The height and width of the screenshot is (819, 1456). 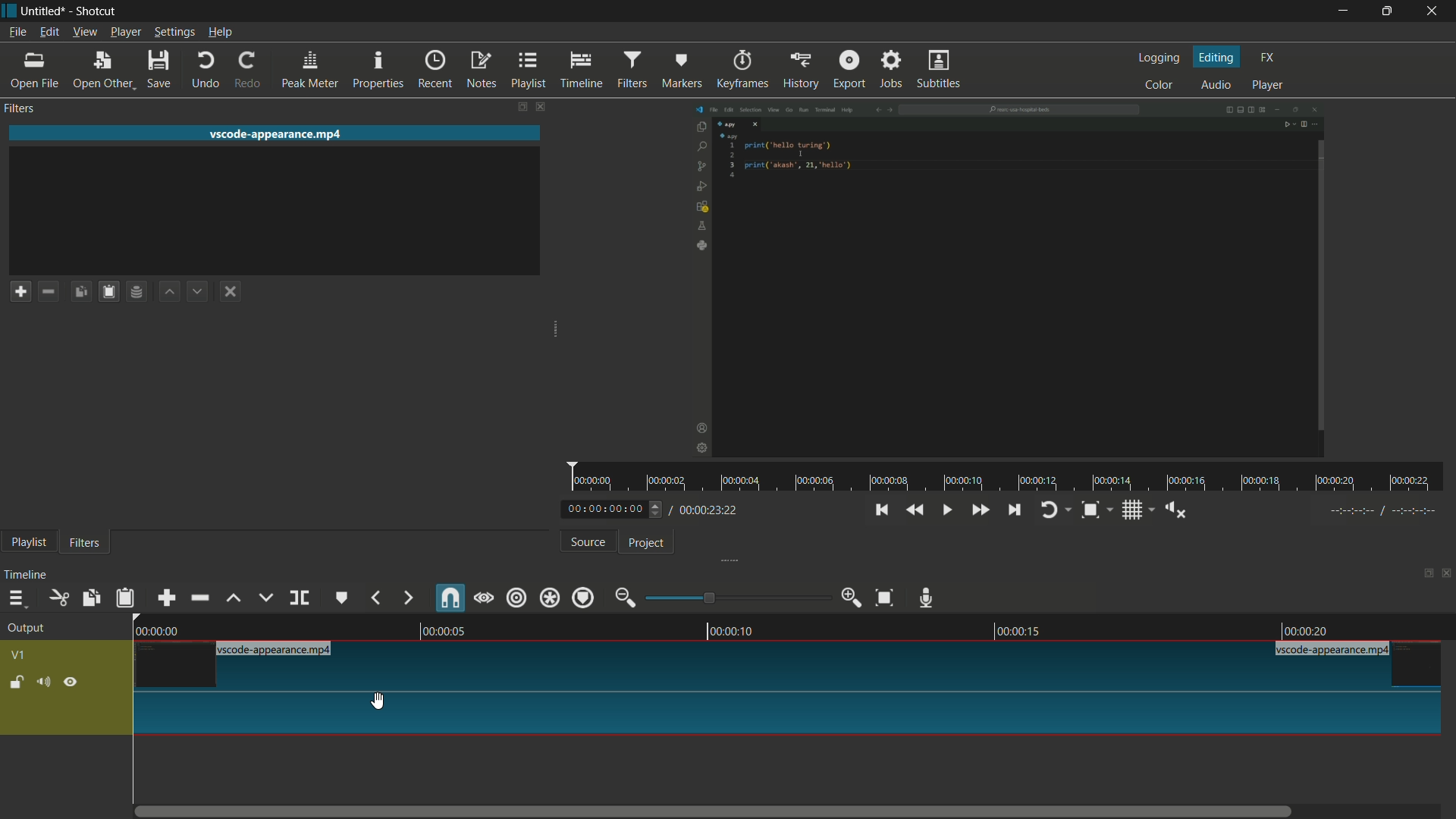 I want to click on video in timeline, so click(x=789, y=698).